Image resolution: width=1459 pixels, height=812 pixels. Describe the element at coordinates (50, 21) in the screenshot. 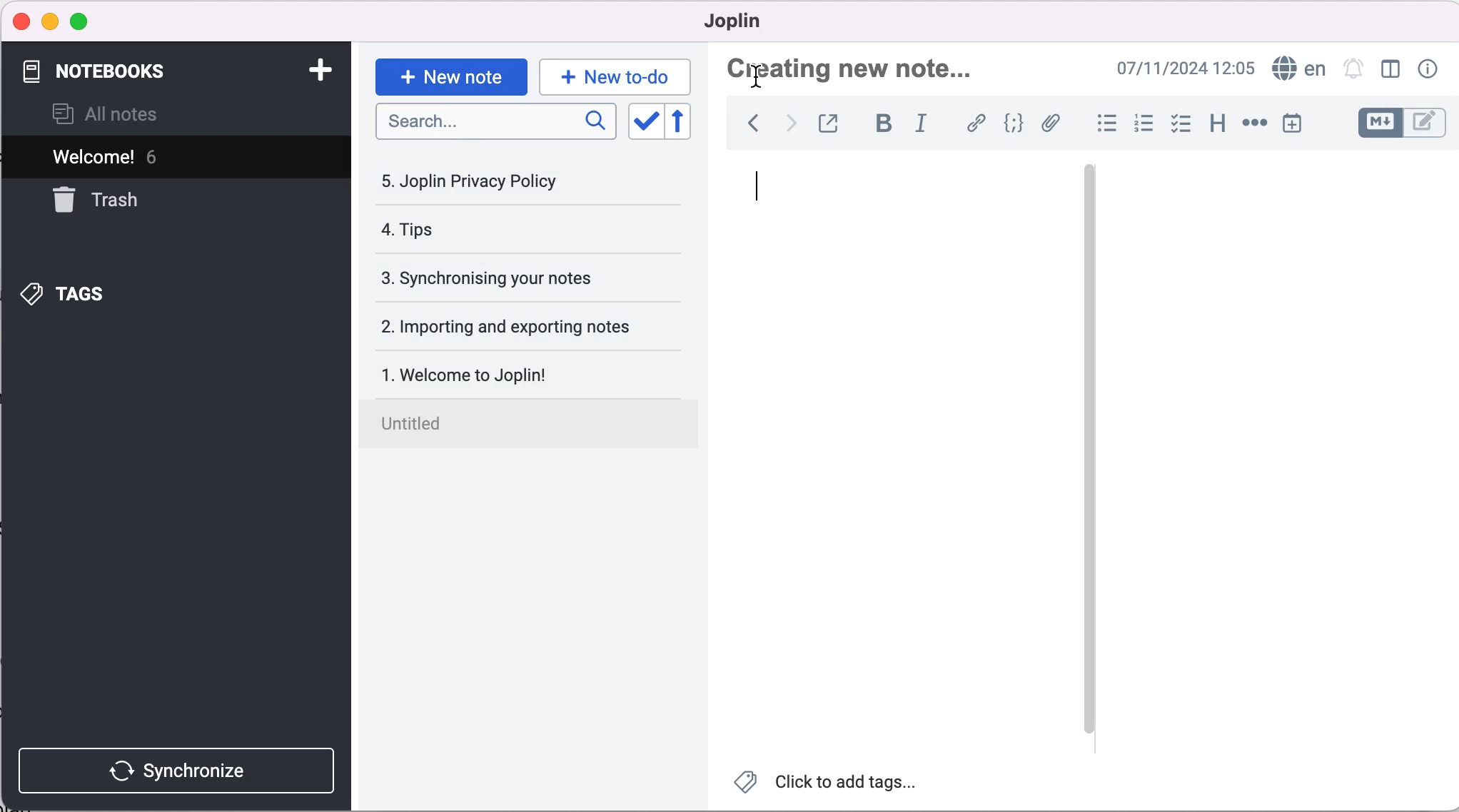

I see `minimize` at that location.